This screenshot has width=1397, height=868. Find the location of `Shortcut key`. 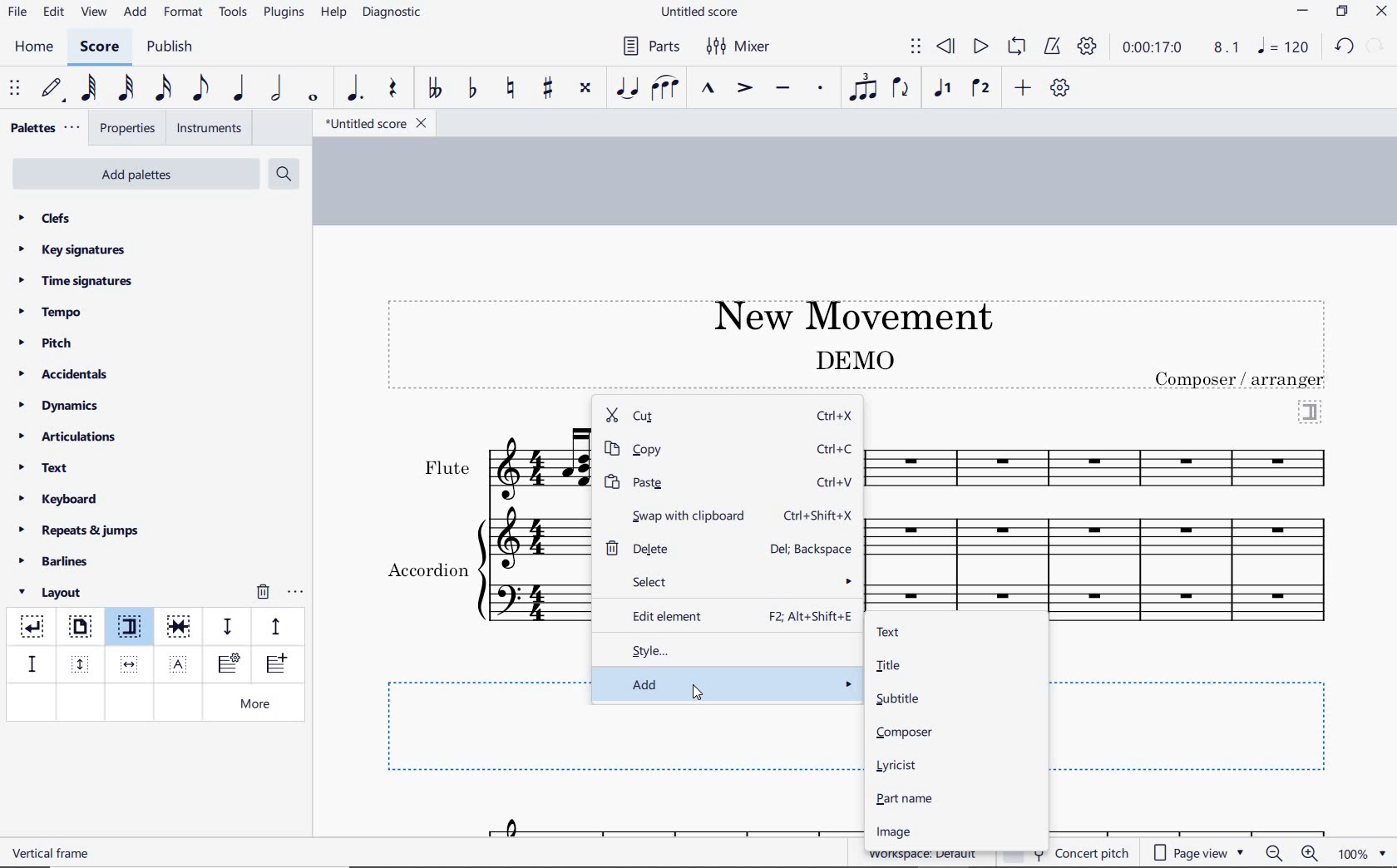

Shortcut key is located at coordinates (811, 617).